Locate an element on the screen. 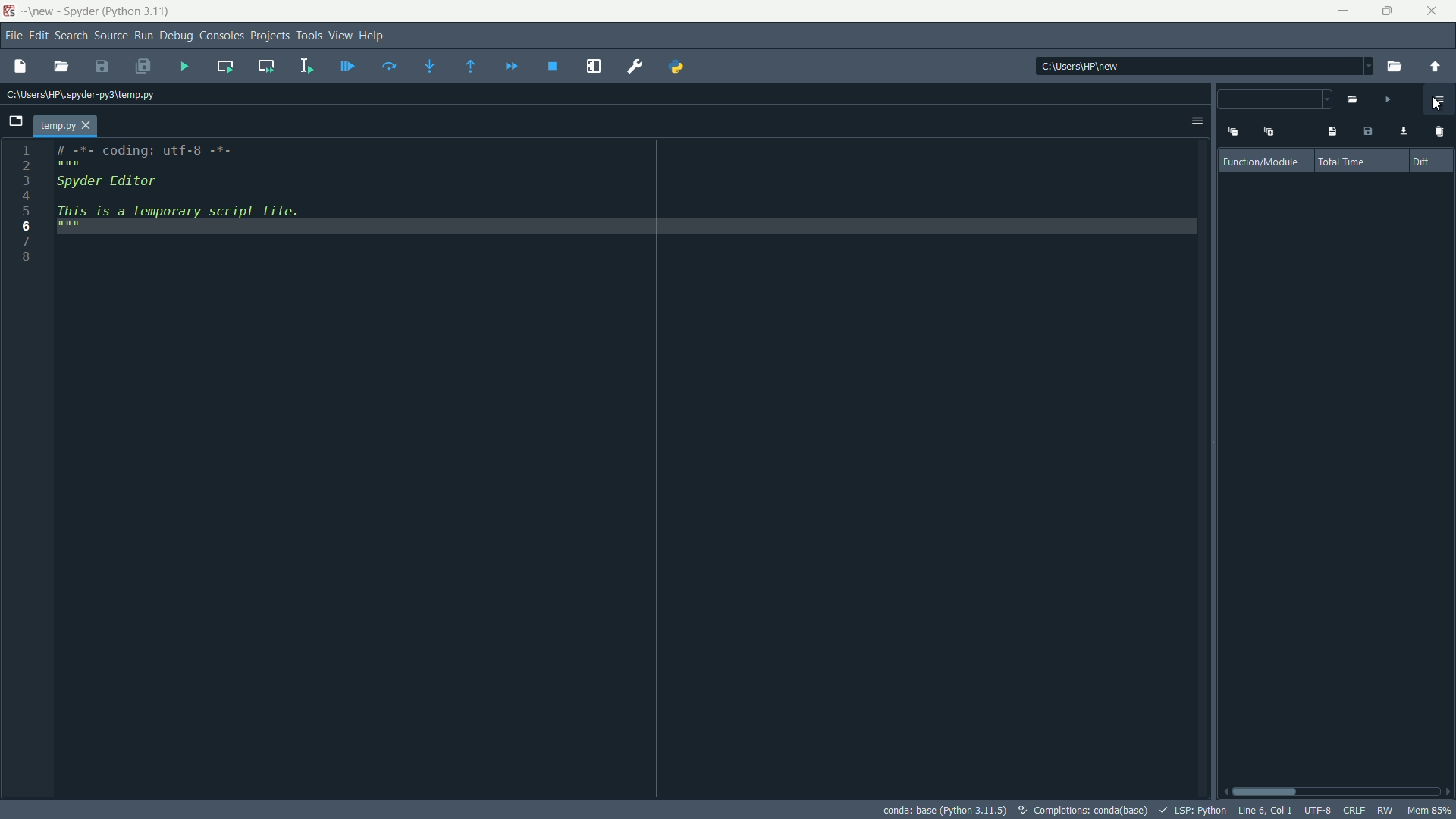  debug file is located at coordinates (348, 67).